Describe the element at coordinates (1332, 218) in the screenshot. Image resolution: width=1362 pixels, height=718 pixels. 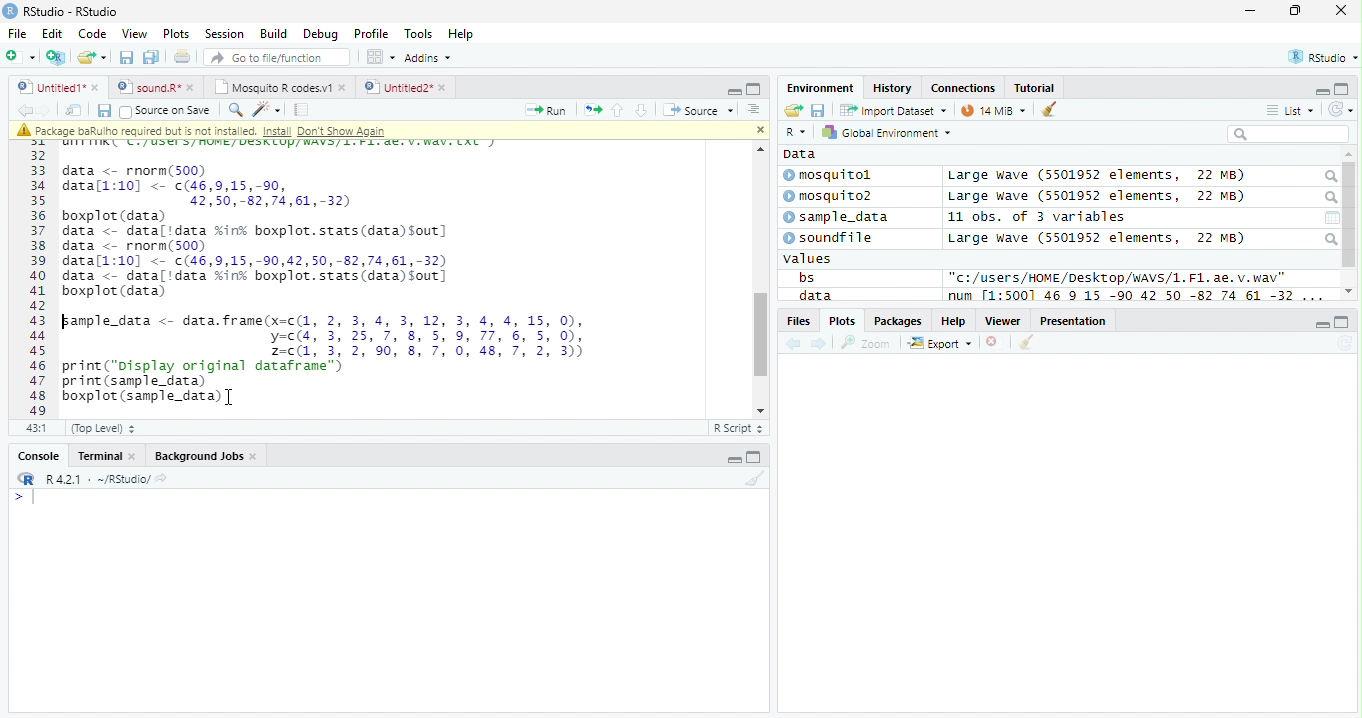
I see `Calendar` at that location.